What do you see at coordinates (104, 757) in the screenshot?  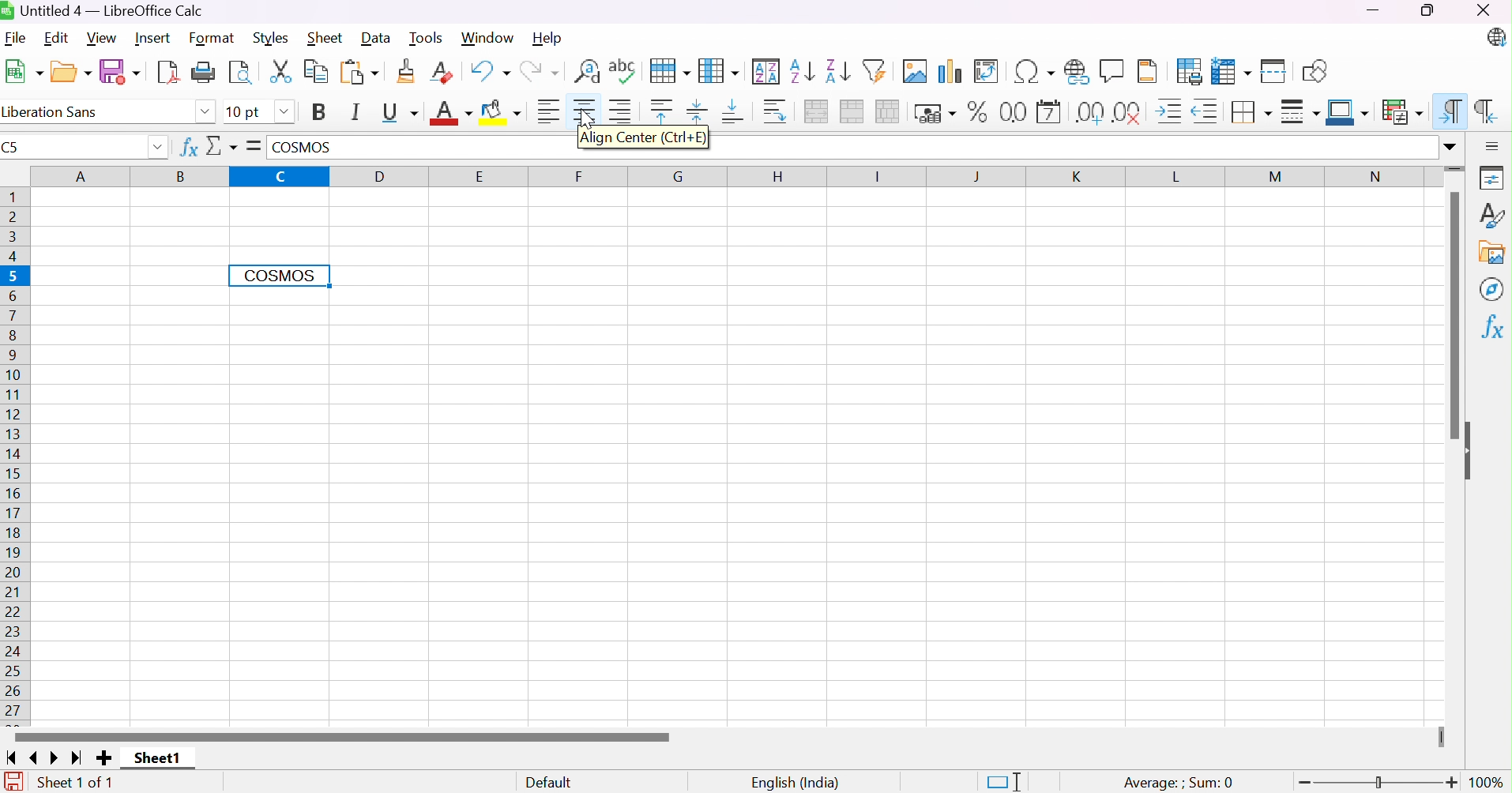 I see `Add New Sheet` at bounding box center [104, 757].